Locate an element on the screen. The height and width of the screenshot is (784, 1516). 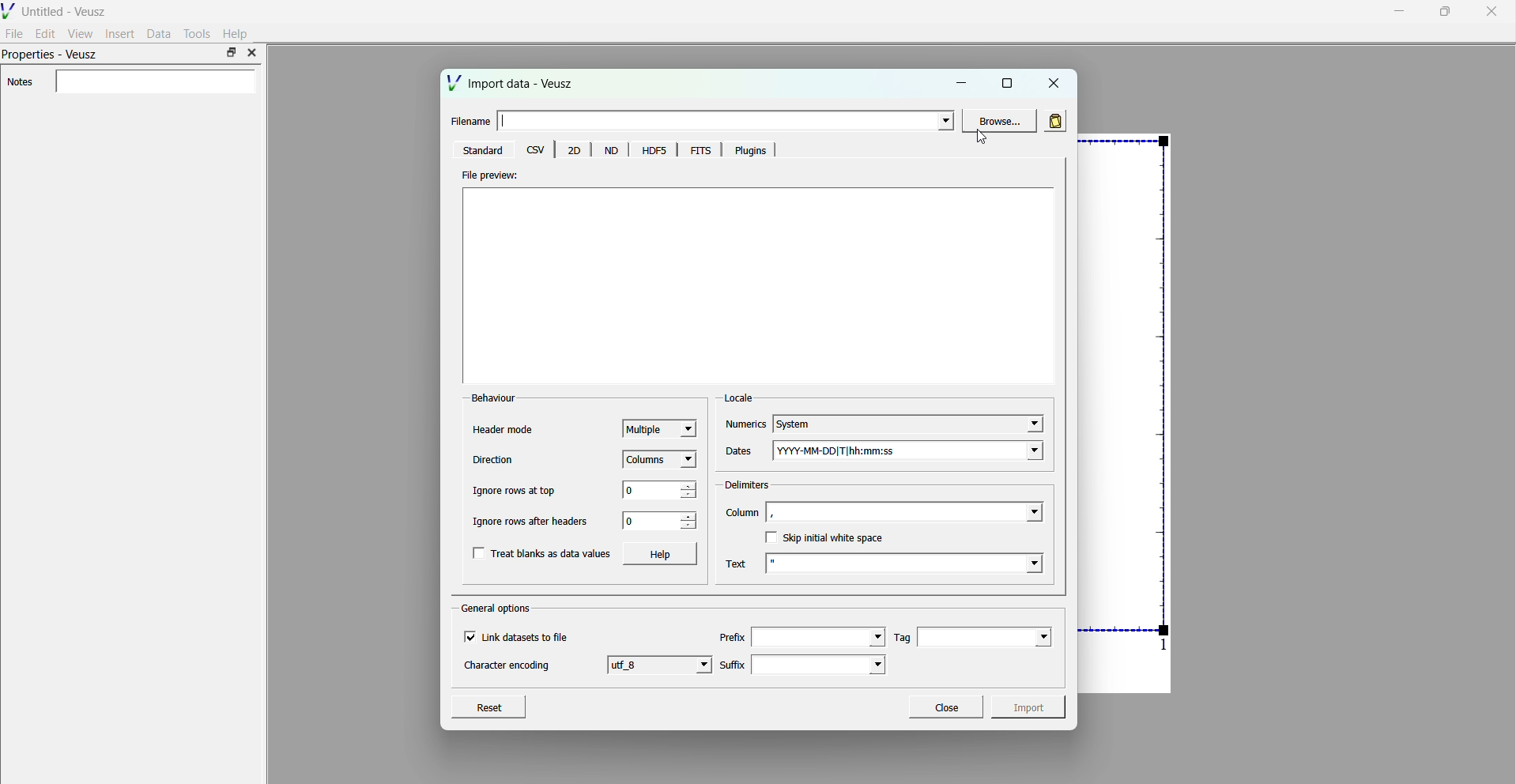
close is located at coordinates (1053, 81).